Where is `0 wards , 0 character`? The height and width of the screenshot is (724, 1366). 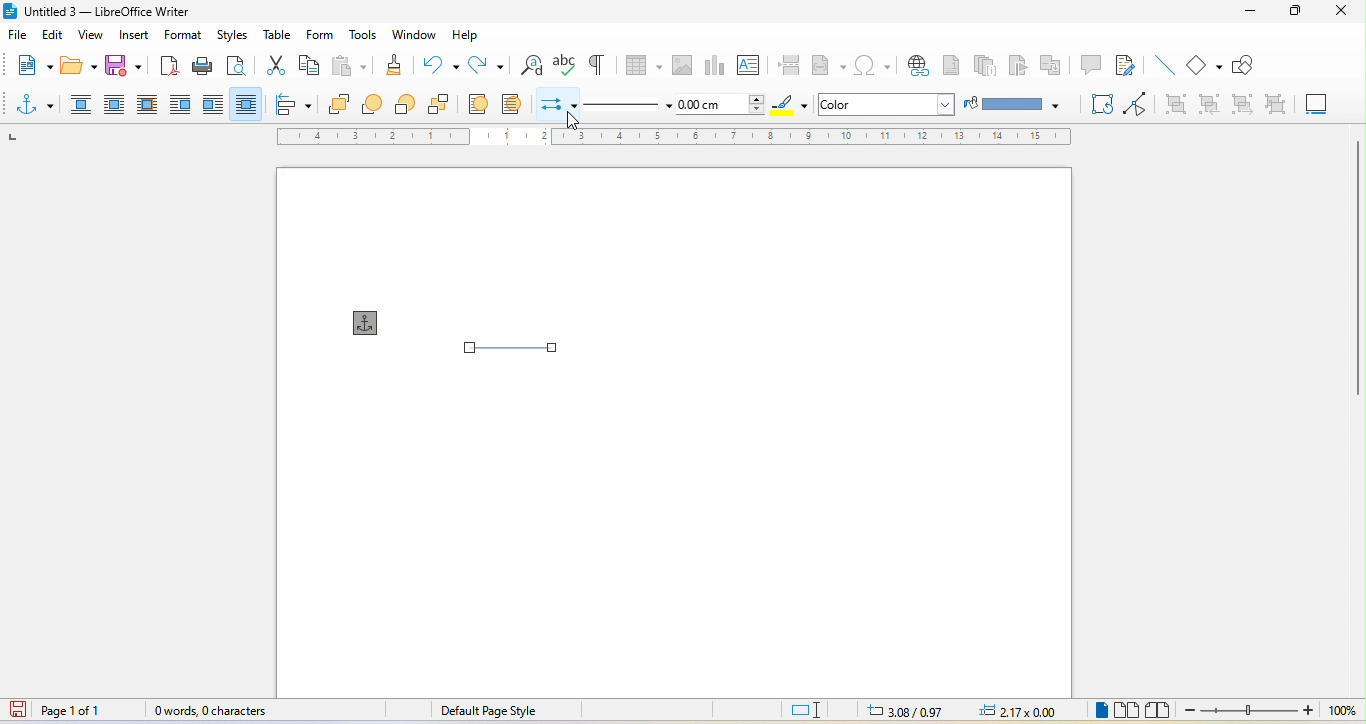 0 wards , 0 character is located at coordinates (212, 711).